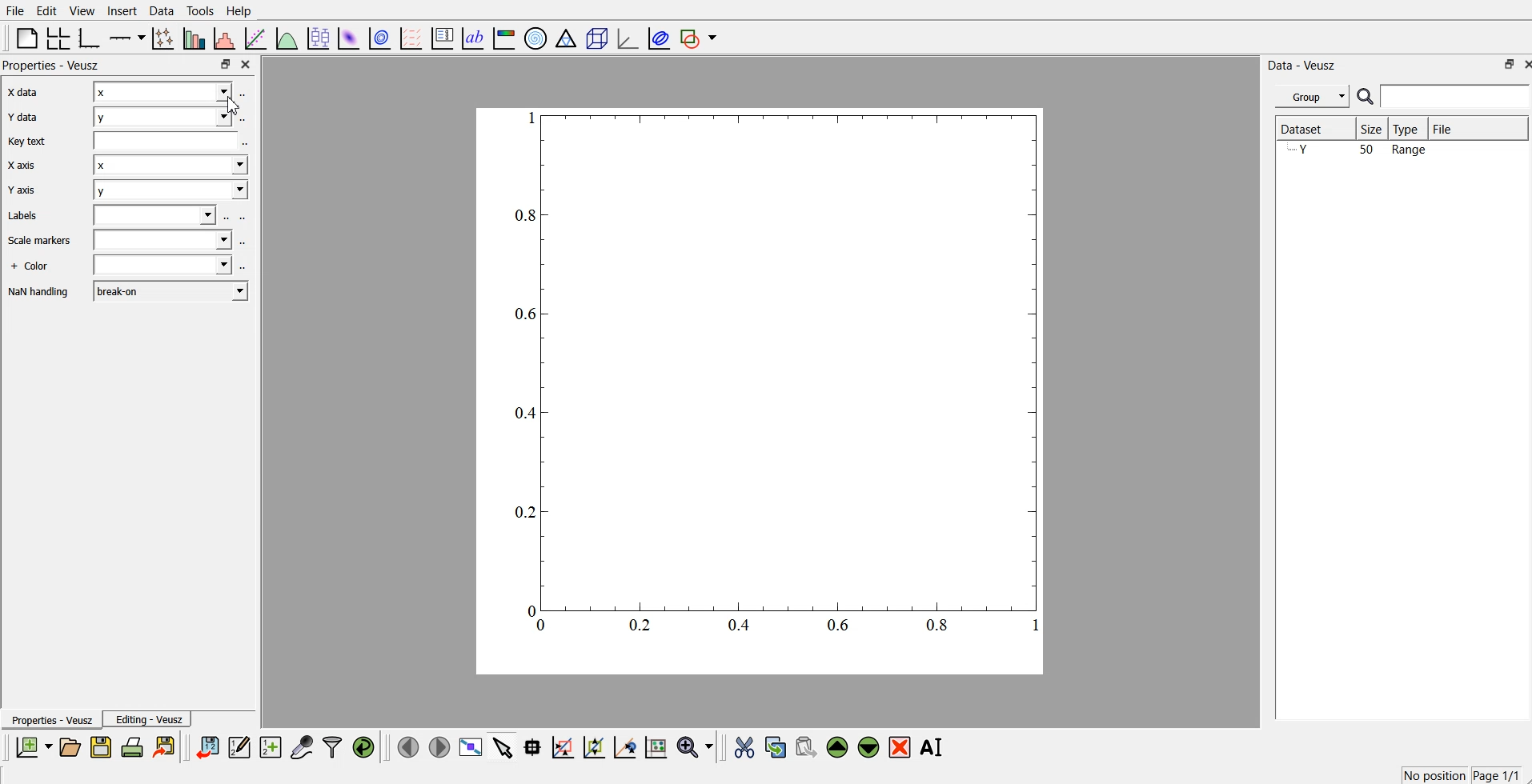 This screenshot has width=1532, height=784. Describe the element at coordinates (163, 93) in the screenshot. I see `x` at that location.